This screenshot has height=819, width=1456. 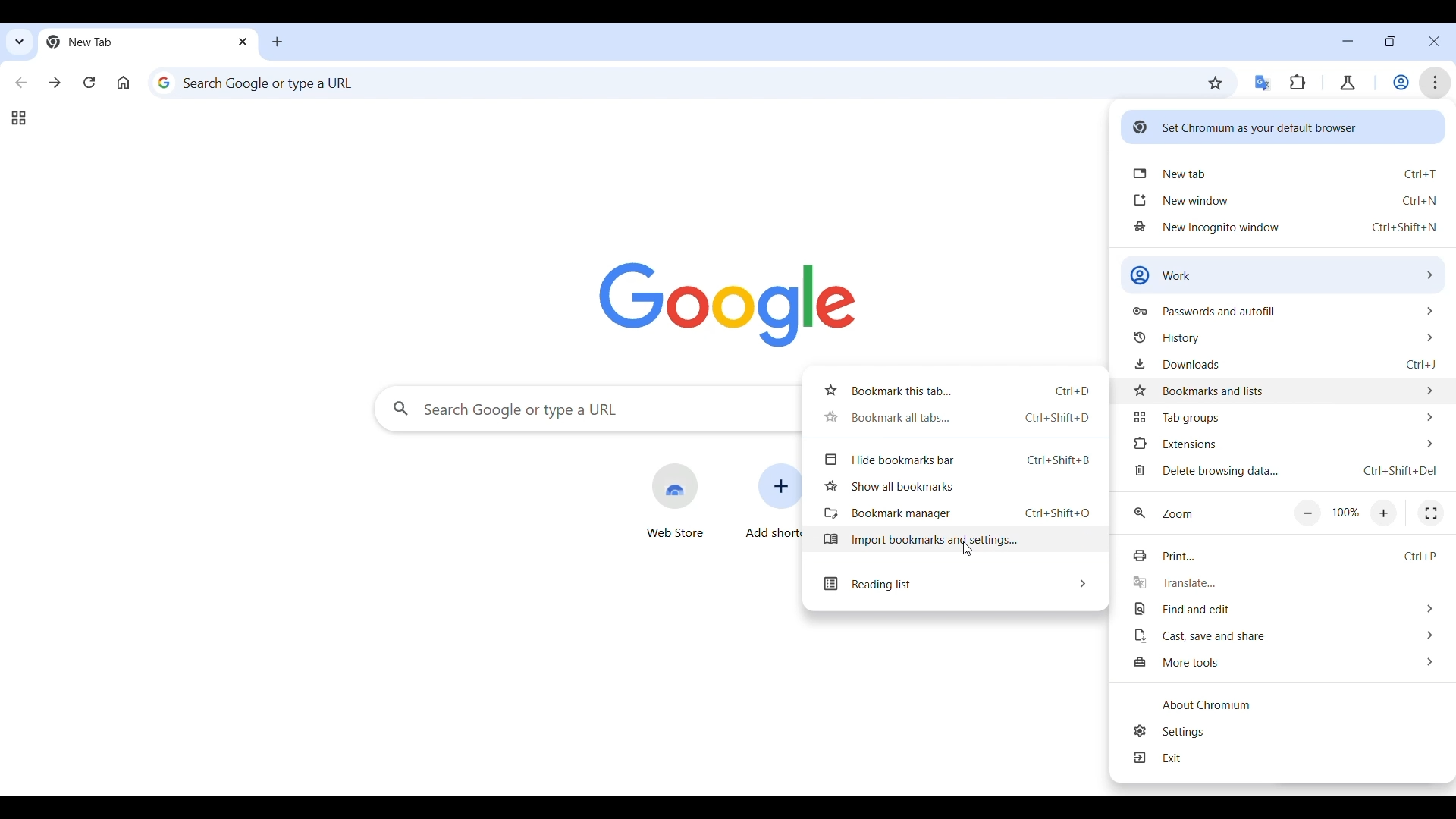 What do you see at coordinates (1286, 227) in the screenshot?
I see `new incognito window` at bounding box center [1286, 227].